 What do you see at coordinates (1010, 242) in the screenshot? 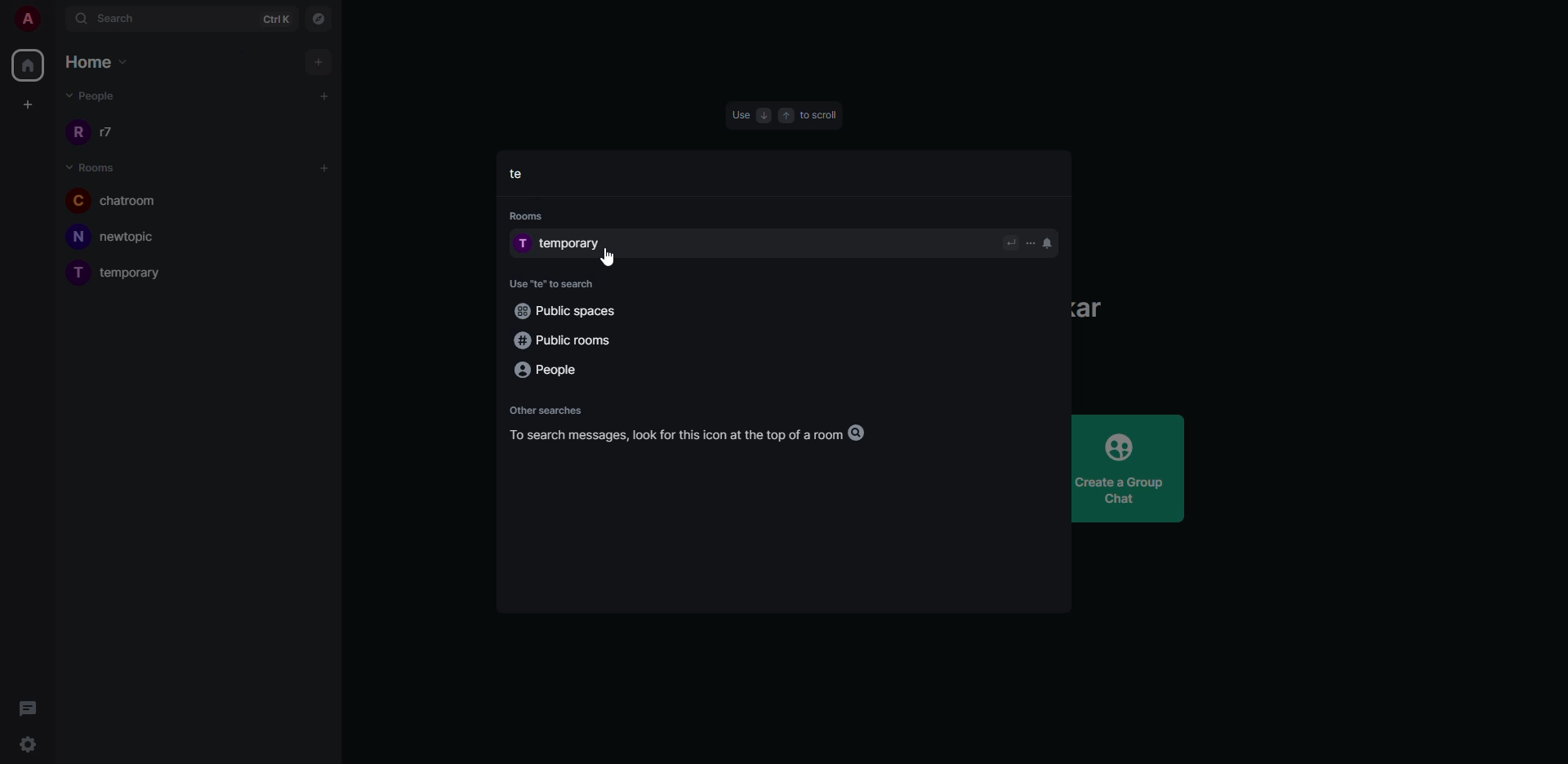
I see `enter` at bounding box center [1010, 242].